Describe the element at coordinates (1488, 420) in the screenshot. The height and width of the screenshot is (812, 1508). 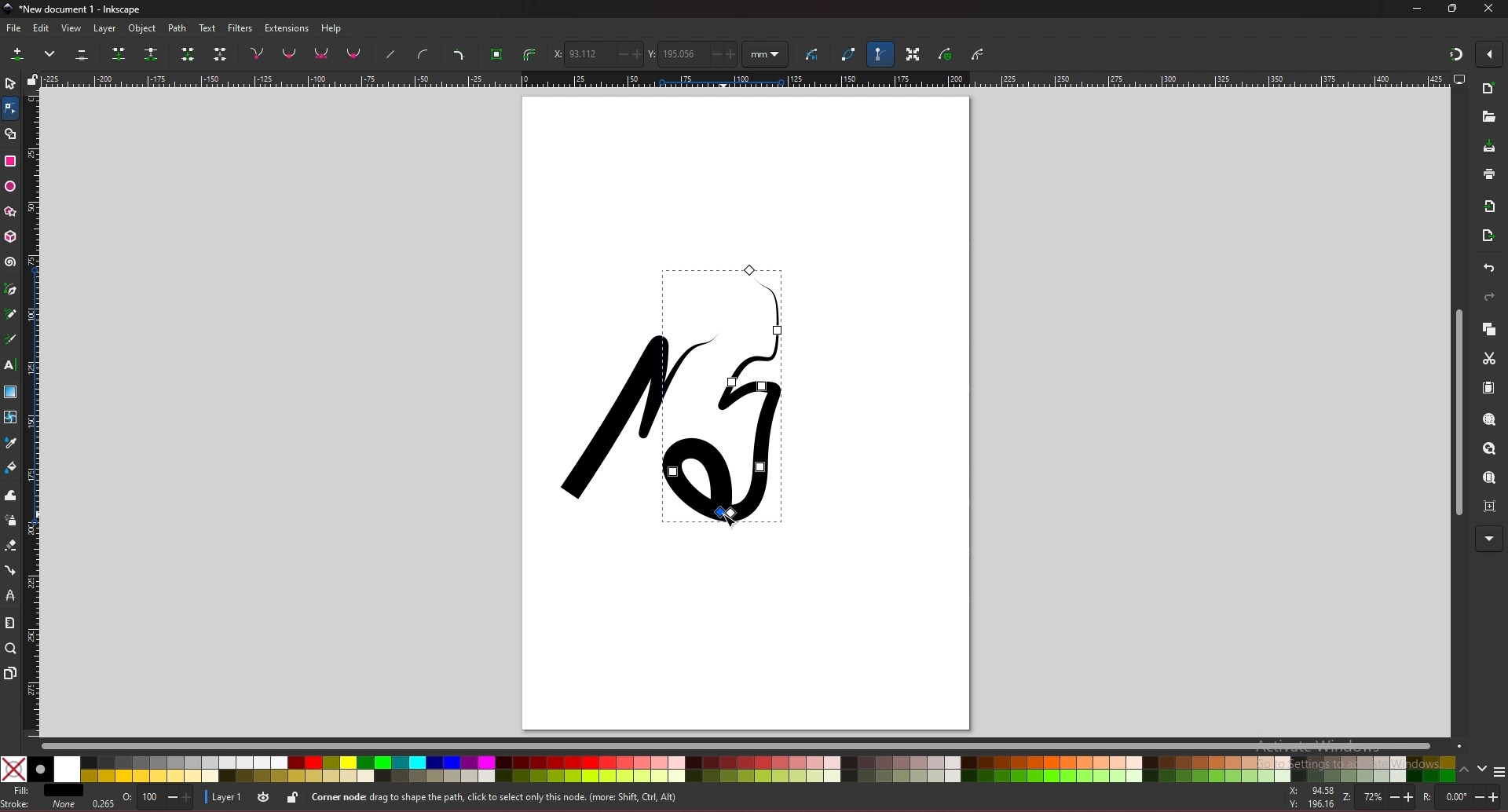
I see `zoom selection` at that location.